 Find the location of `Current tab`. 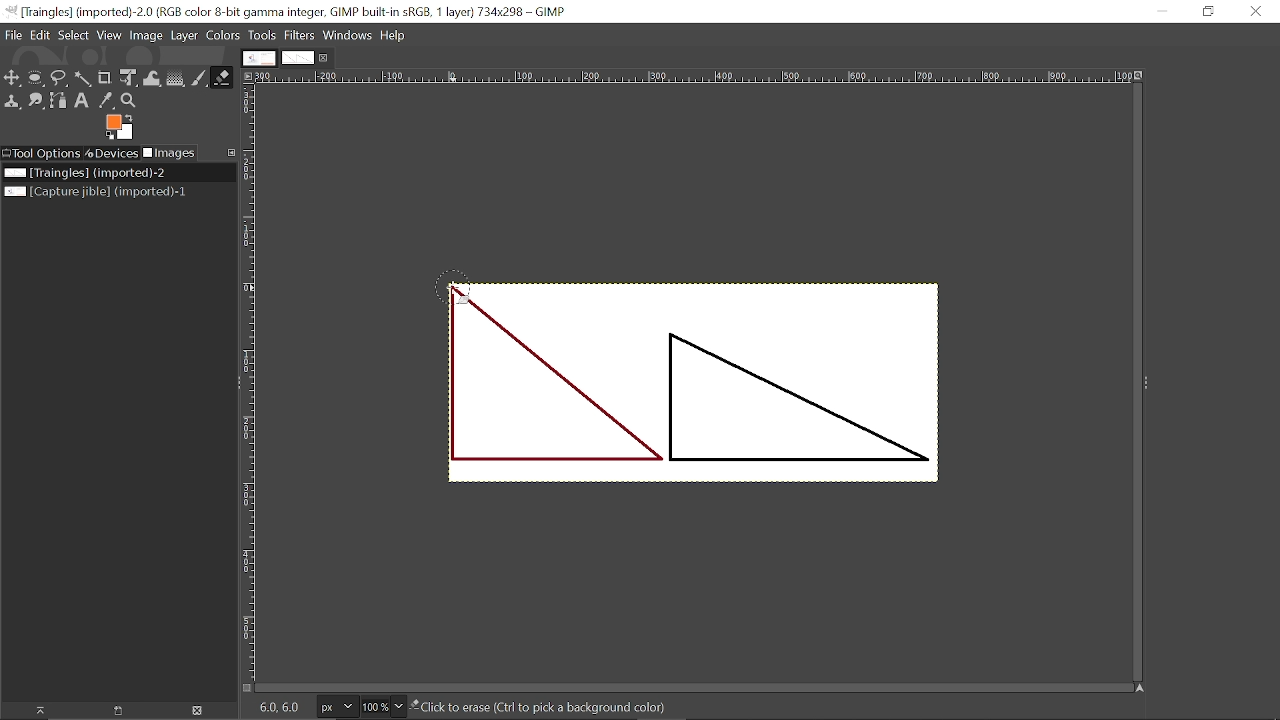

Current tab is located at coordinates (298, 58).